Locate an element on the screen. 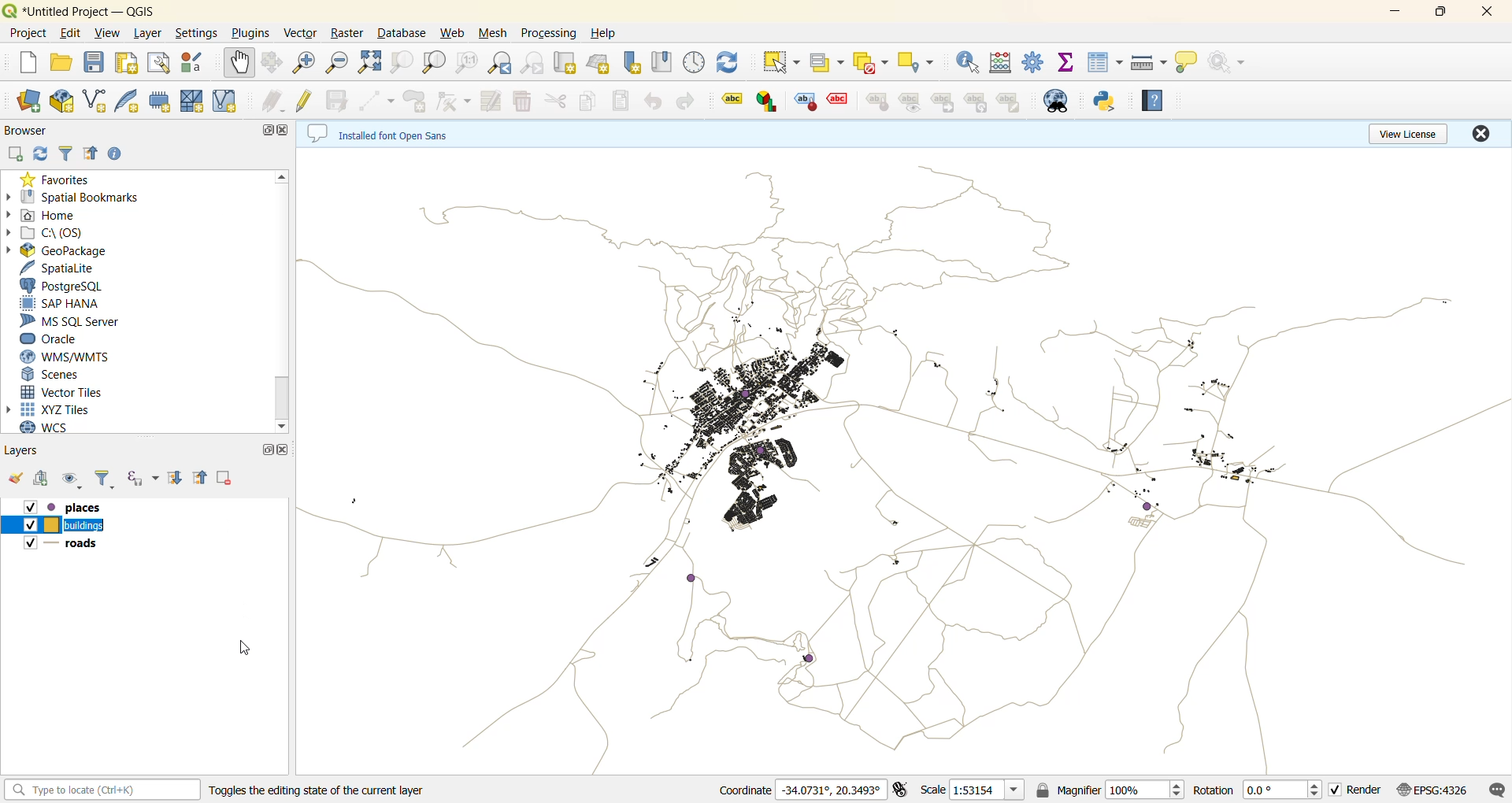  style is located at coordinates (876, 101).